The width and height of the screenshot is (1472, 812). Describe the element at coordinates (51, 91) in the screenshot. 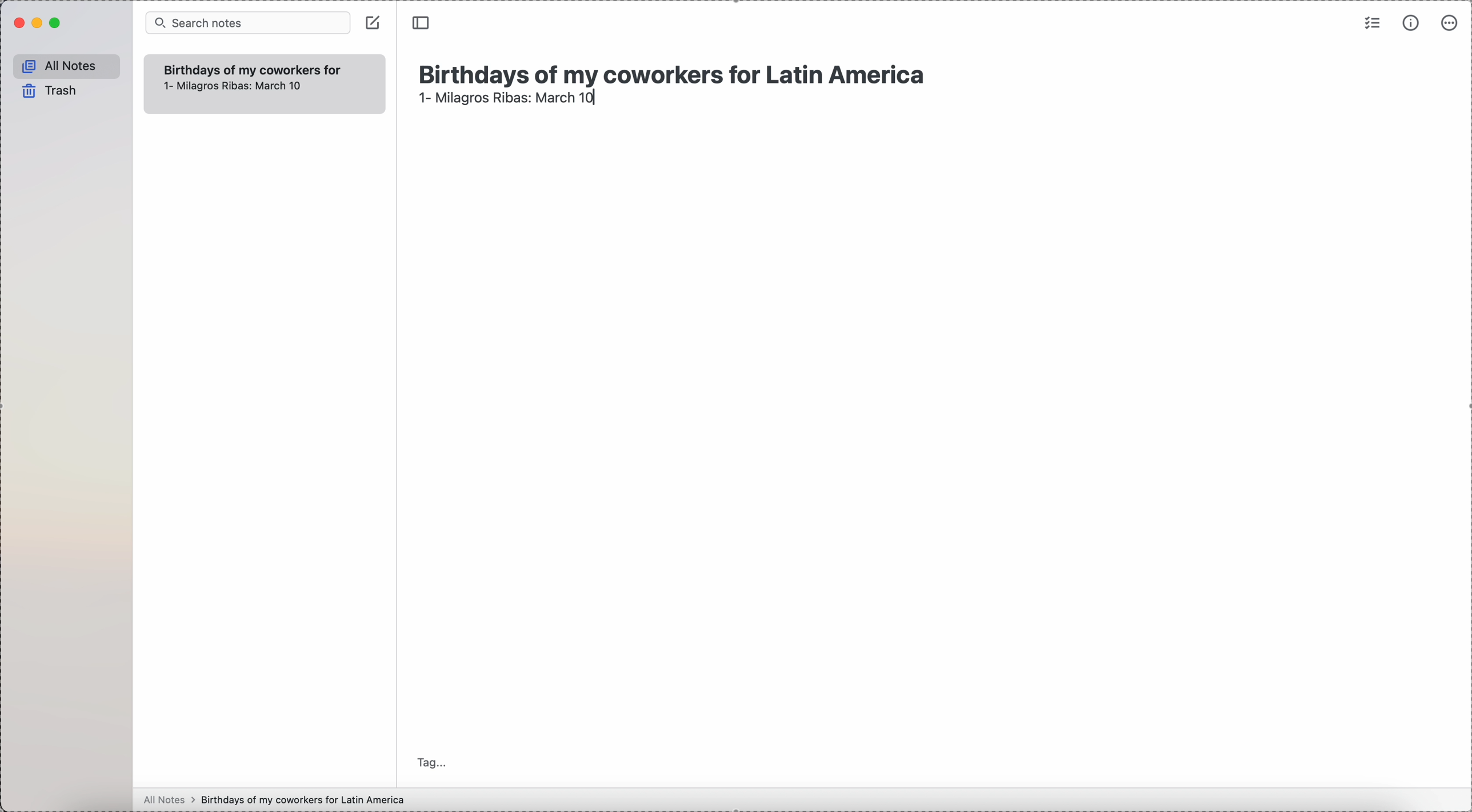

I see `trash` at that location.